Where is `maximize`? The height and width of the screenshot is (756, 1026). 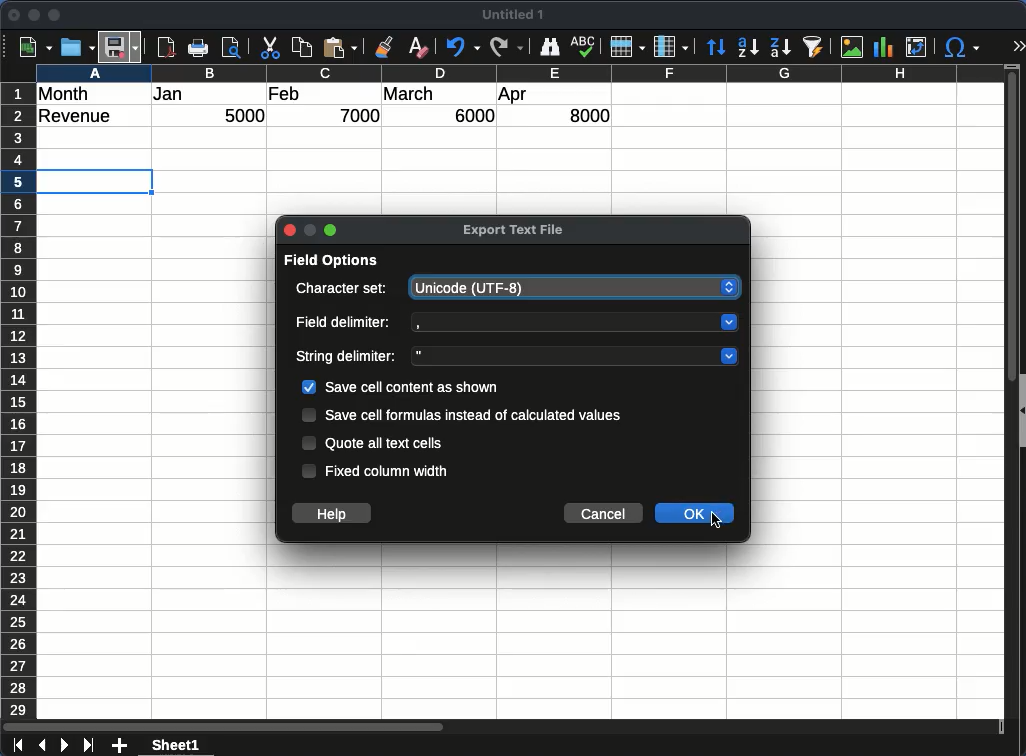 maximize is located at coordinates (56, 15).